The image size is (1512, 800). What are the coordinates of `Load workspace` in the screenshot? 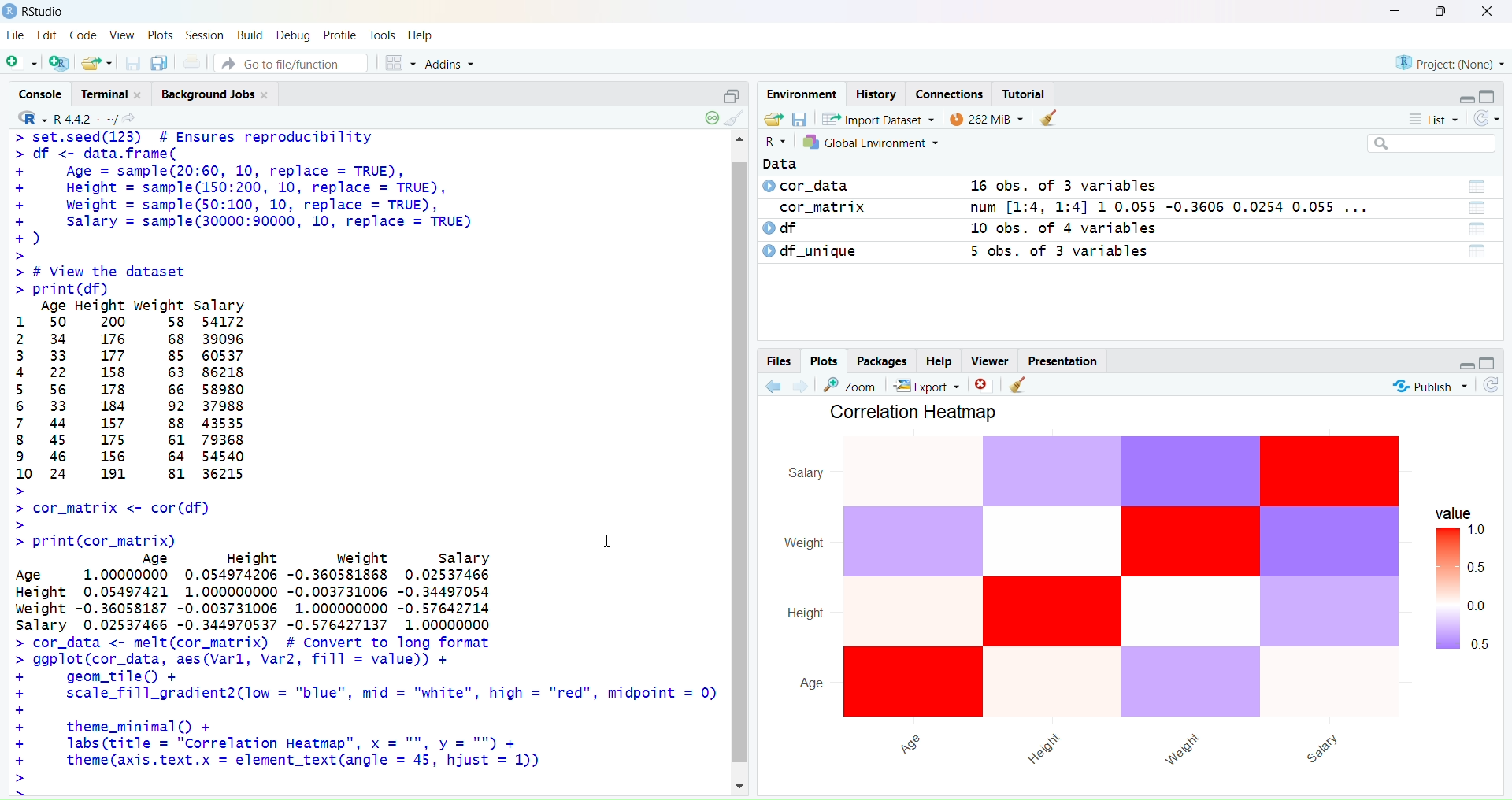 It's located at (773, 120).